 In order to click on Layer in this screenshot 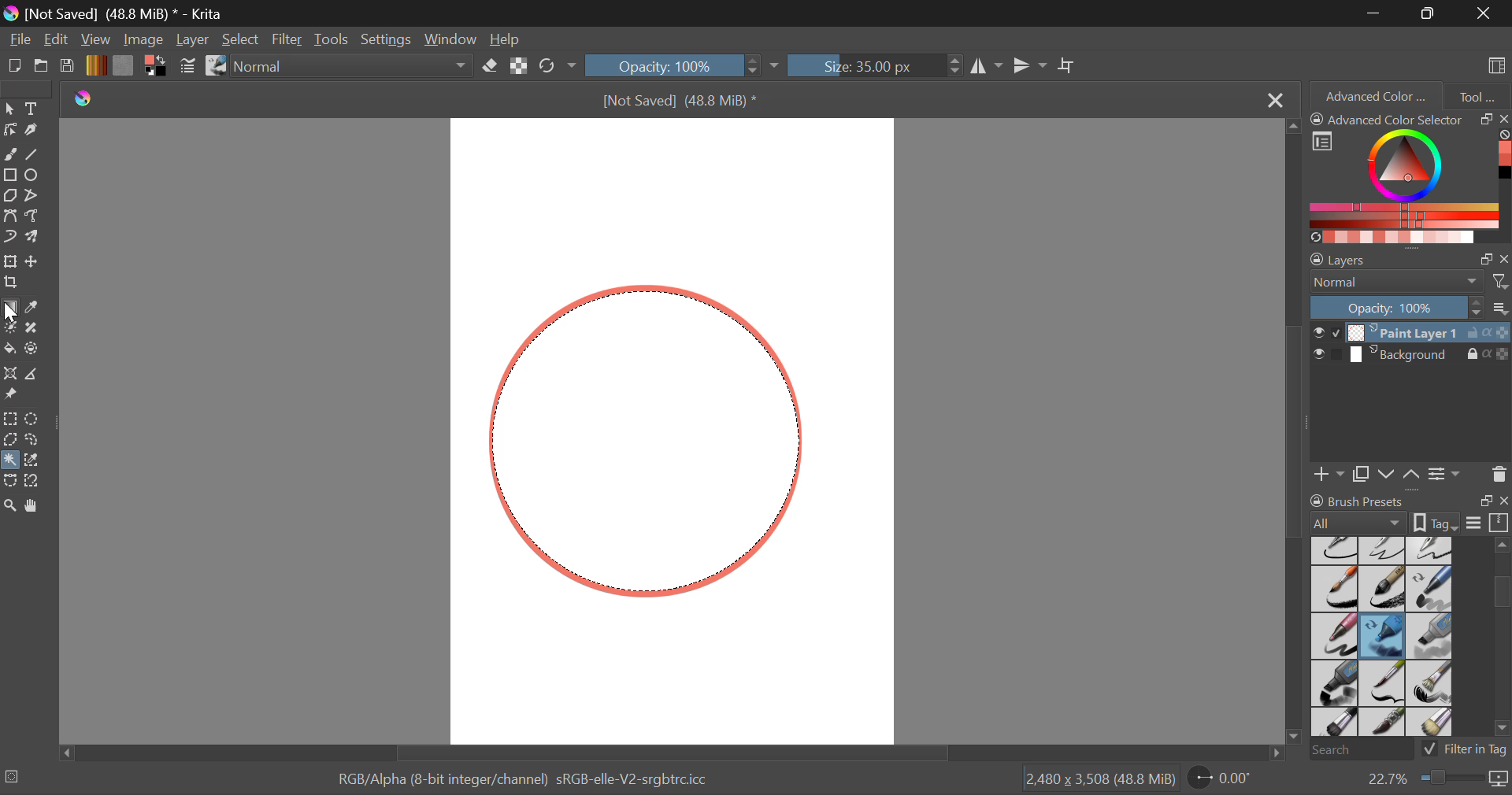, I will do `click(192, 39)`.